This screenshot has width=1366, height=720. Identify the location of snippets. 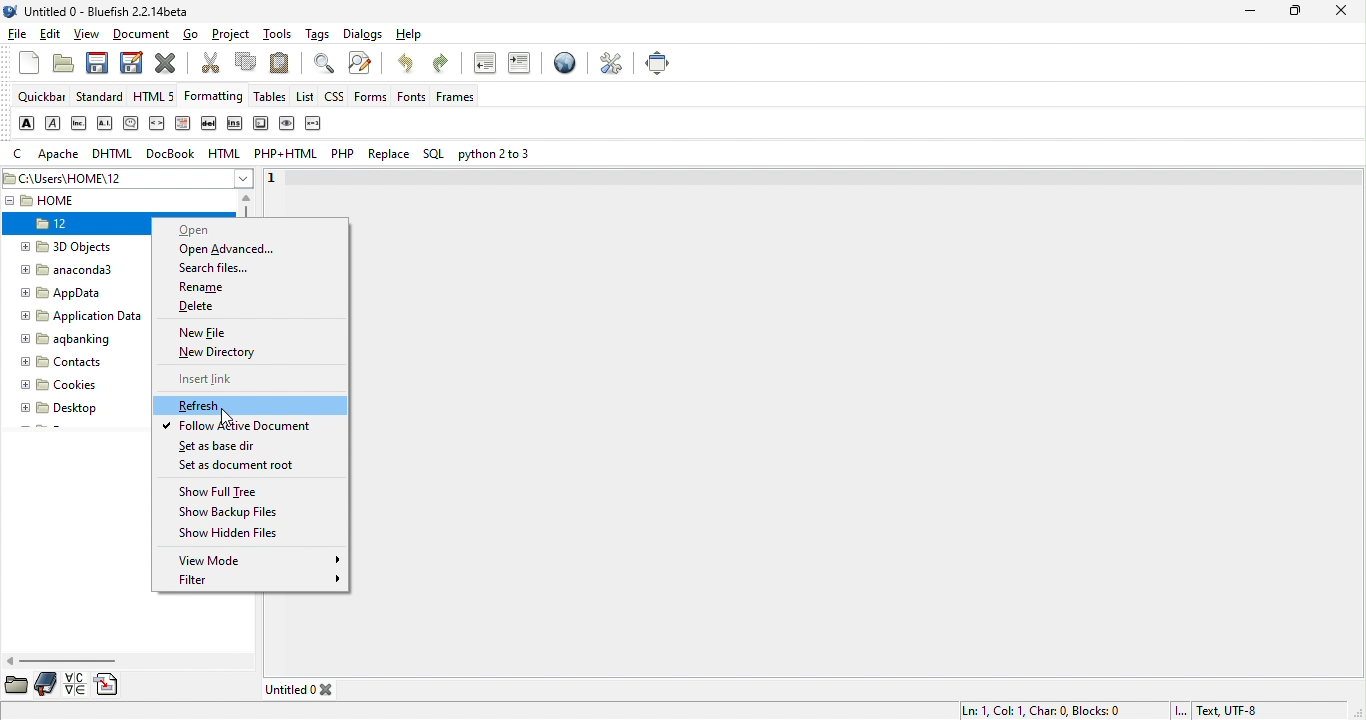
(109, 686).